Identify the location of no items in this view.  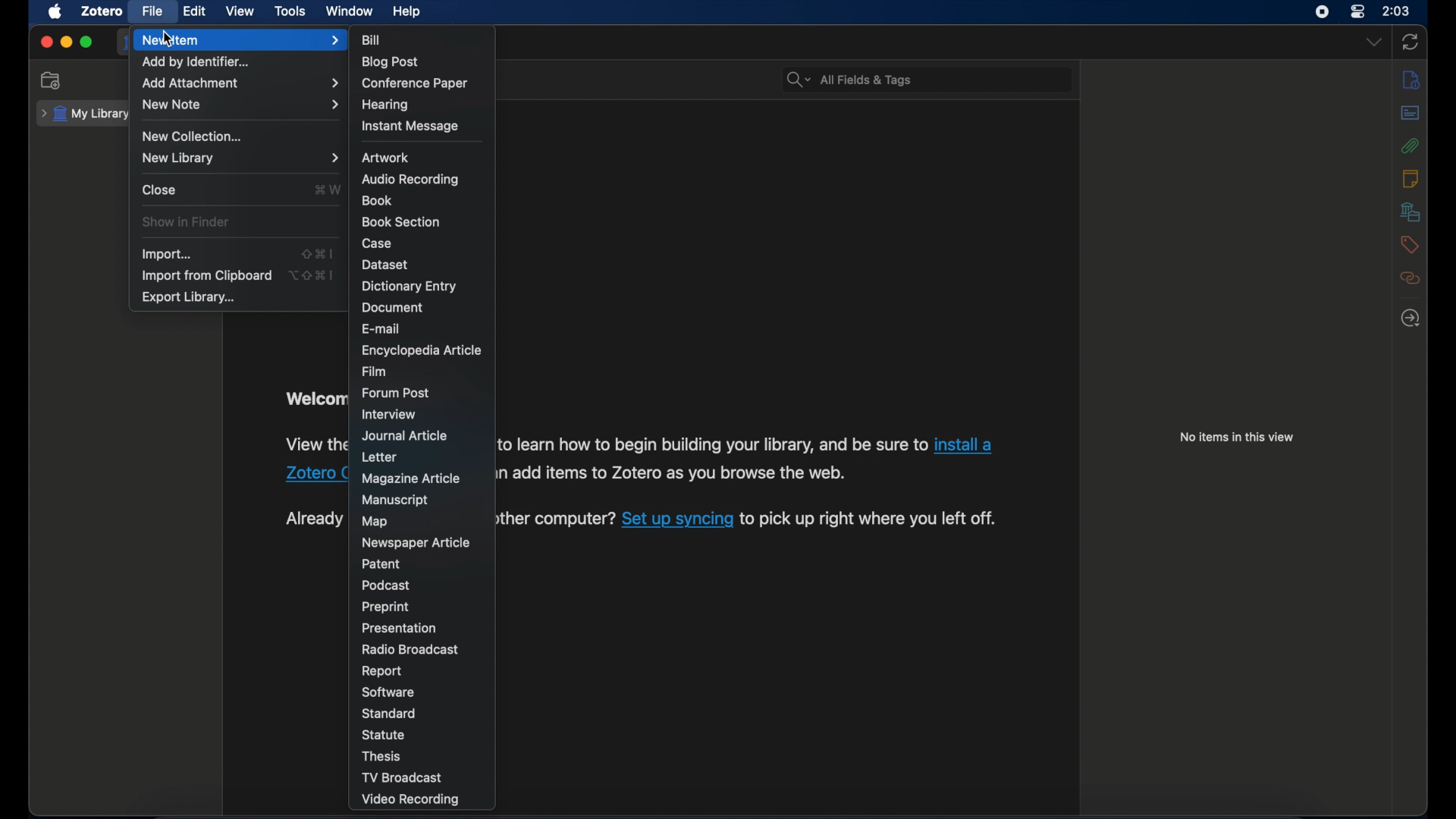
(1238, 437).